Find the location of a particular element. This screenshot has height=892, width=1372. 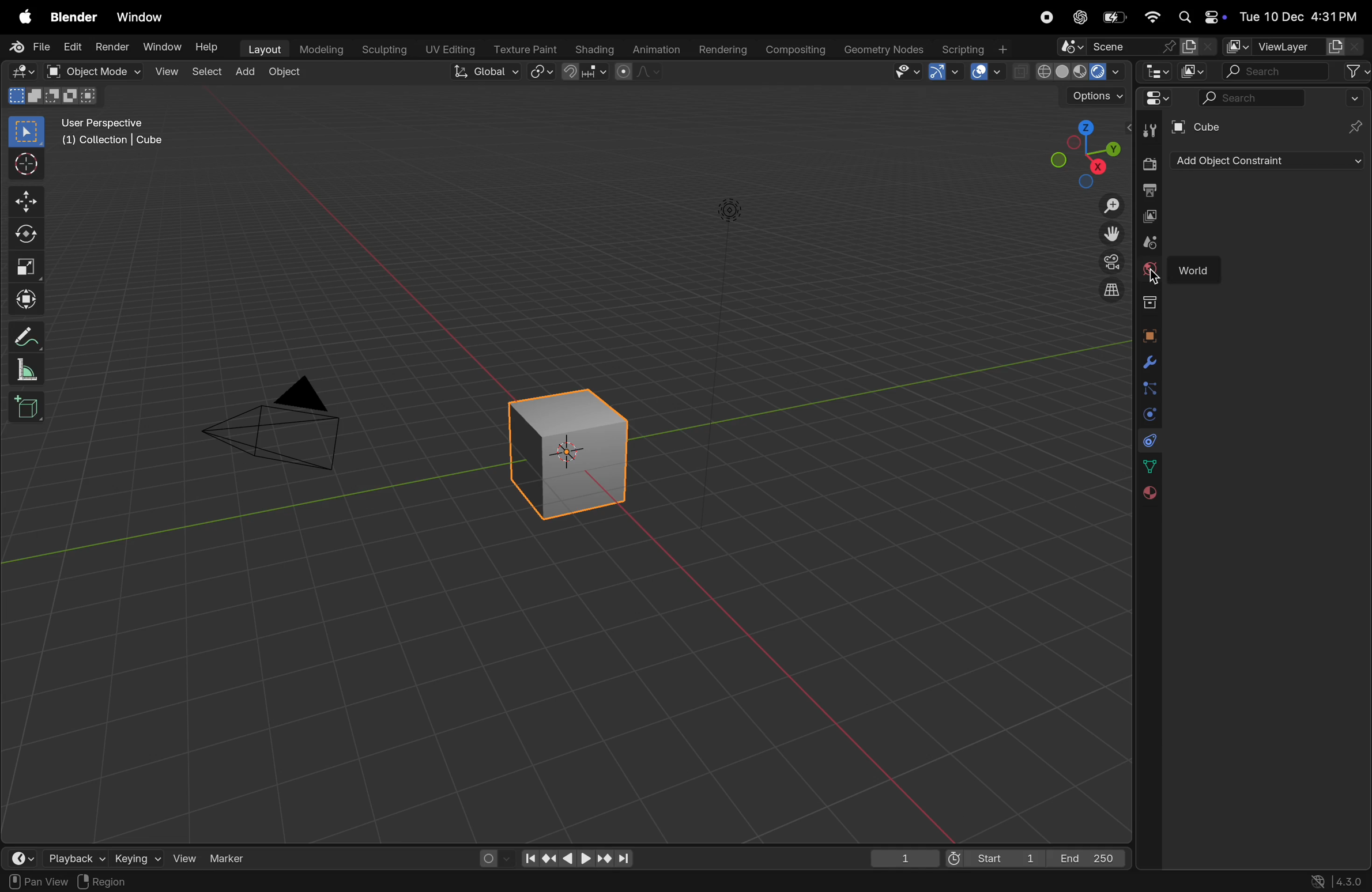

battery is located at coordinates (1113, 18).